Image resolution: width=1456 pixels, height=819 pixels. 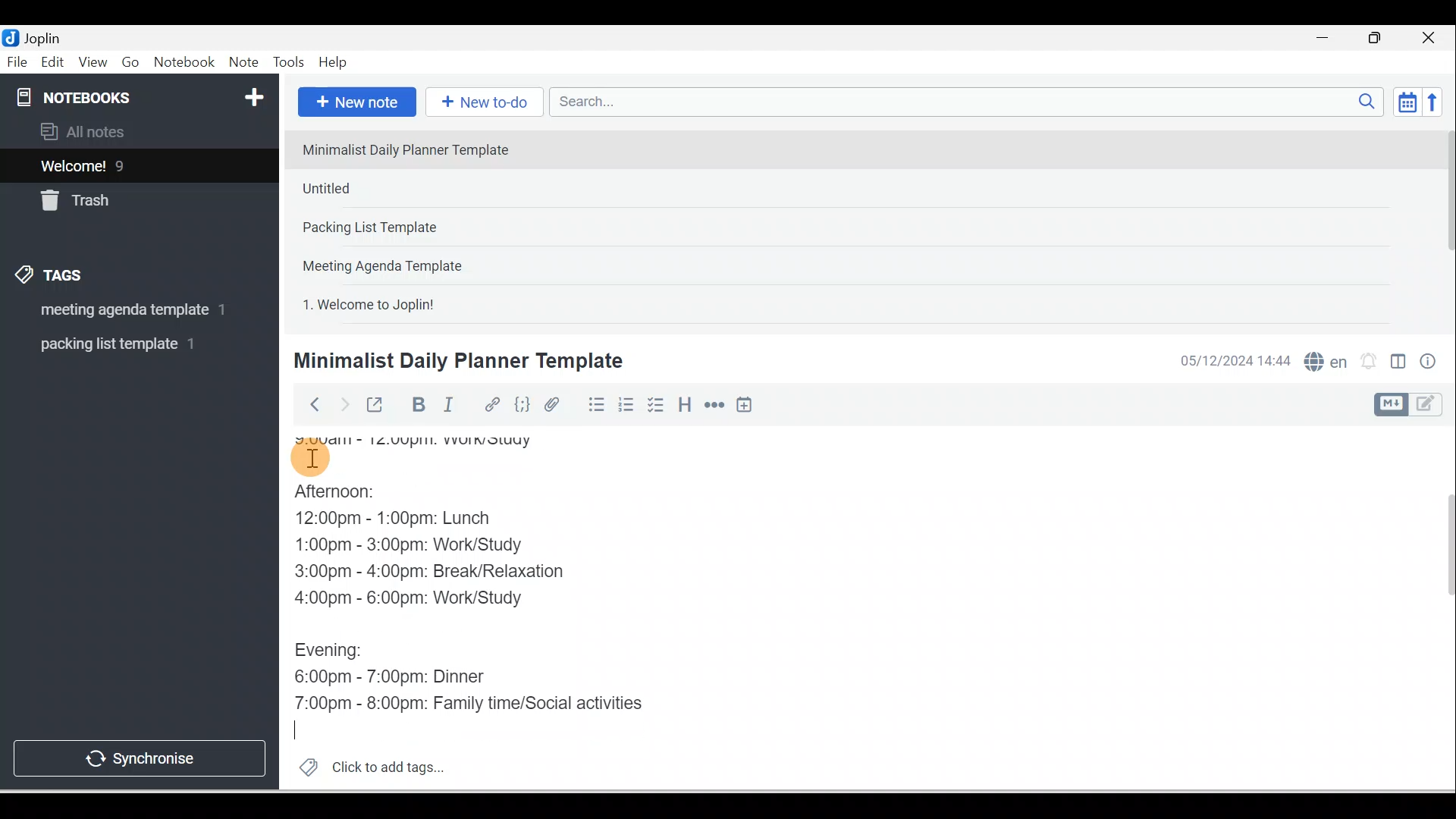 What do you see at coordinates (684, 403) in the screenshot?
I see `Heading` at bounding box center [684, 403].